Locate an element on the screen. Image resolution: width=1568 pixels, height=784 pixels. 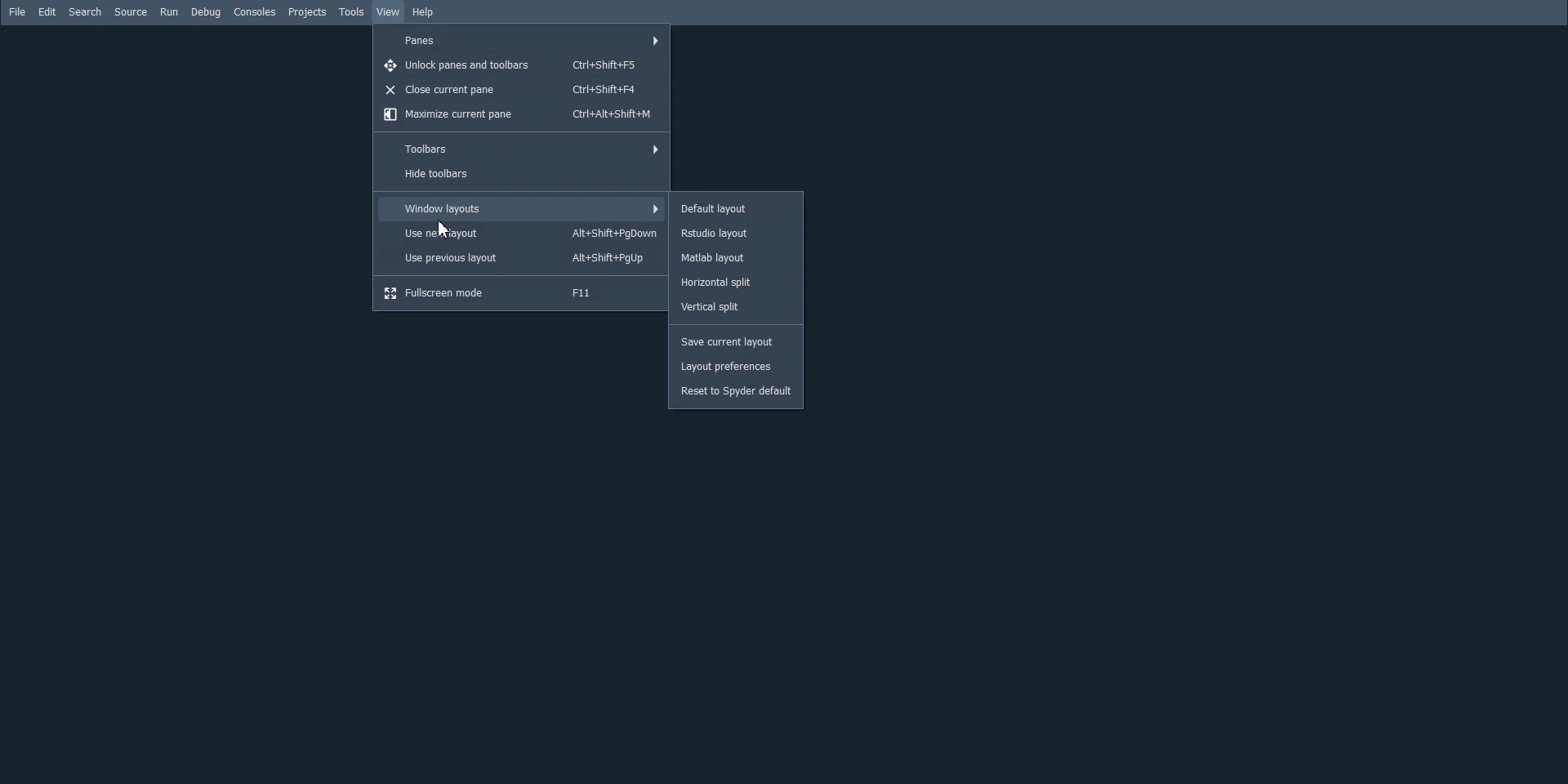
Window layout is located at coordinates (522, 208).